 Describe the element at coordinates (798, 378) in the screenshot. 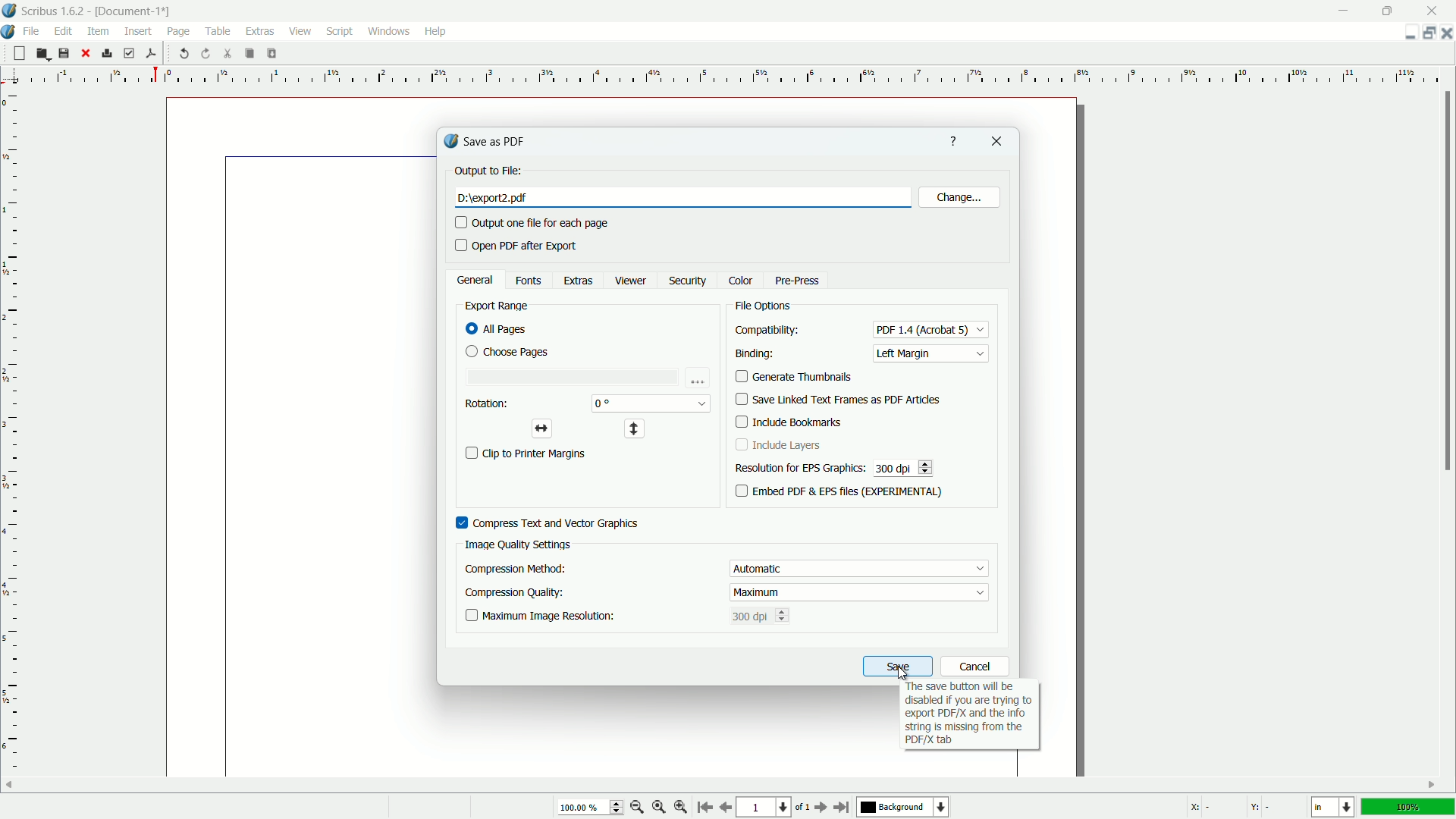

I see `generate thumbnails` at that location.